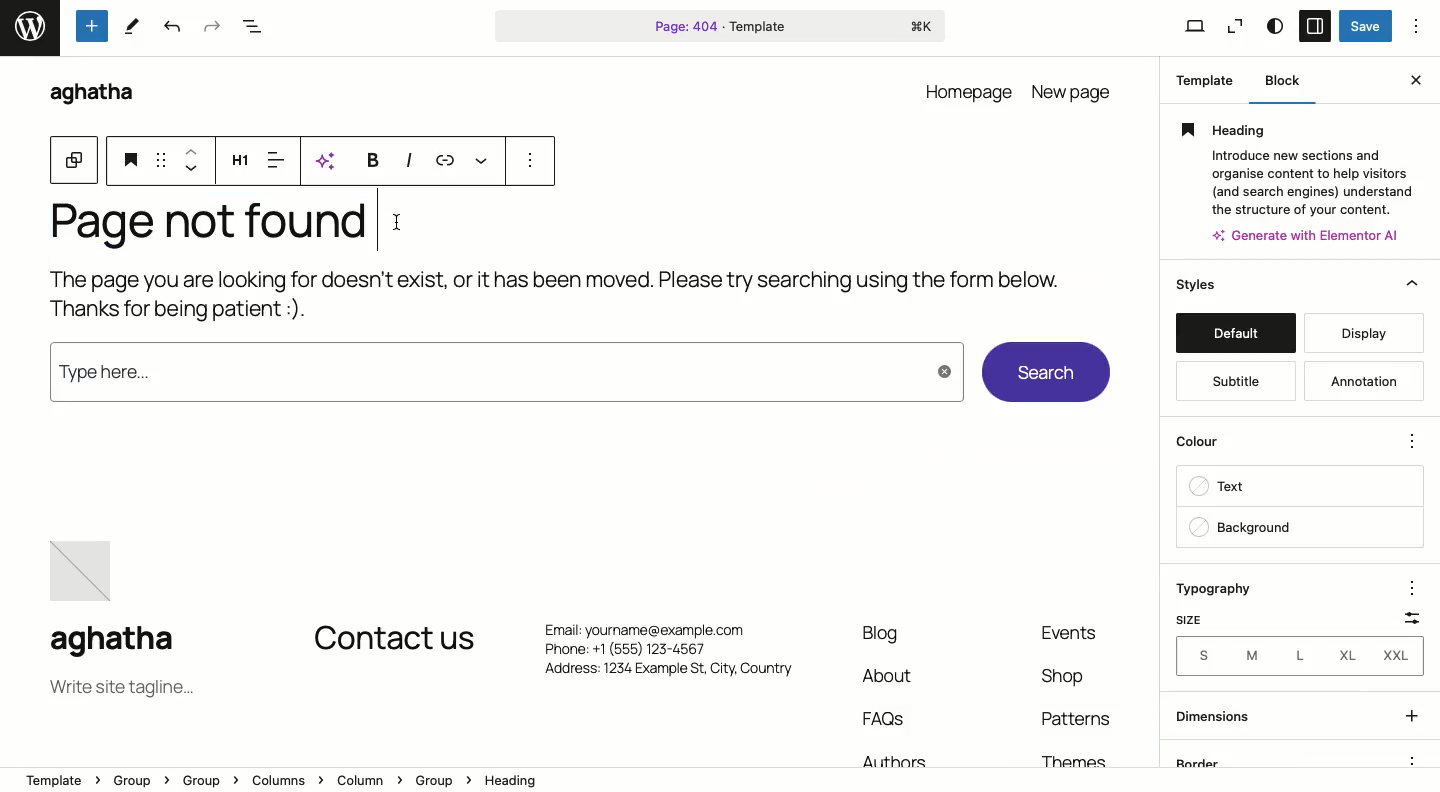 The height and width of the screenshot is (792, 1440). What do you see at coordinates (1197, 618) in the screenshot?
I see `Size` at bounding box center [1197, 618].